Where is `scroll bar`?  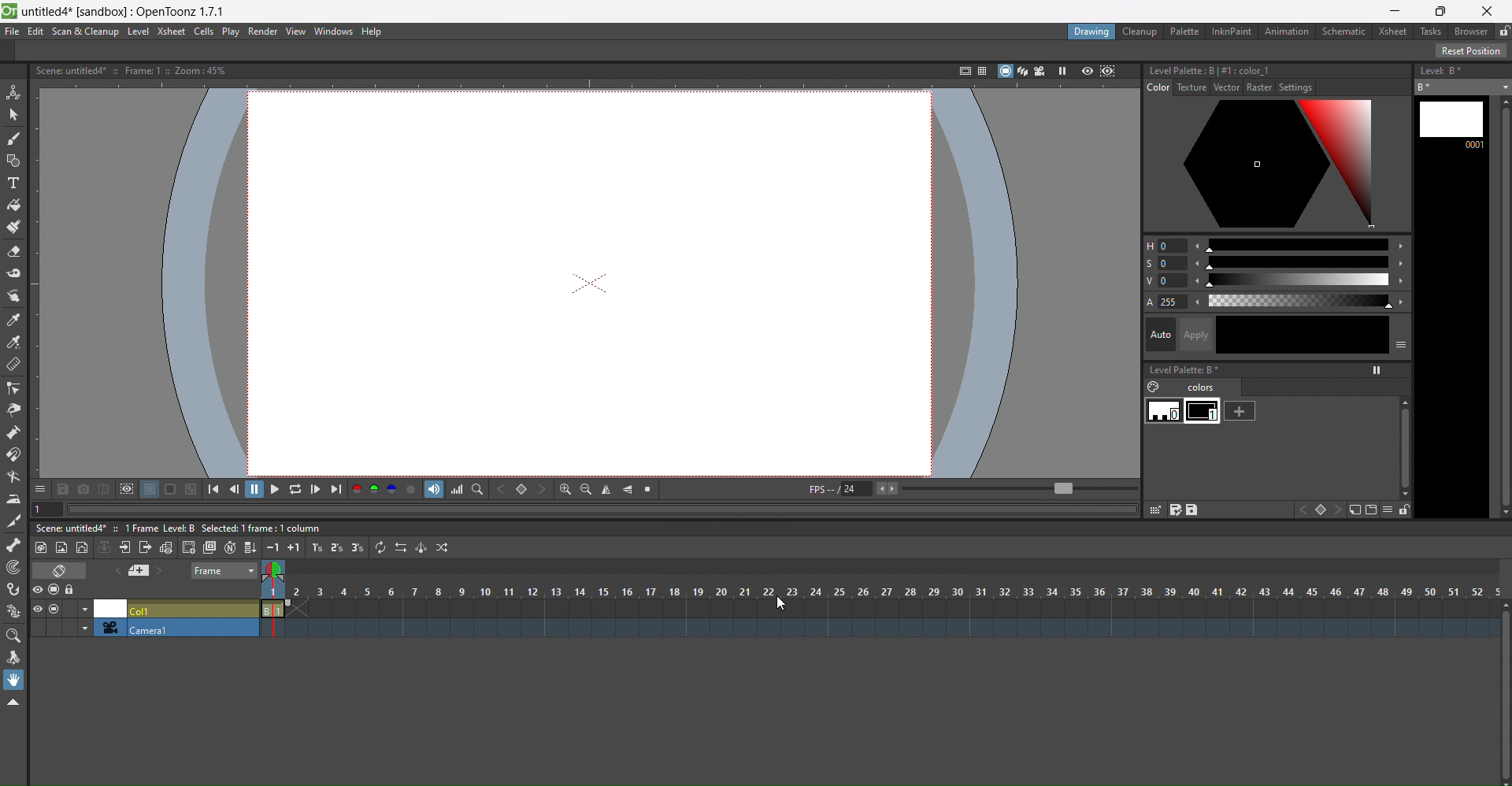 scroll bar is located at coordinates (1400, 439).